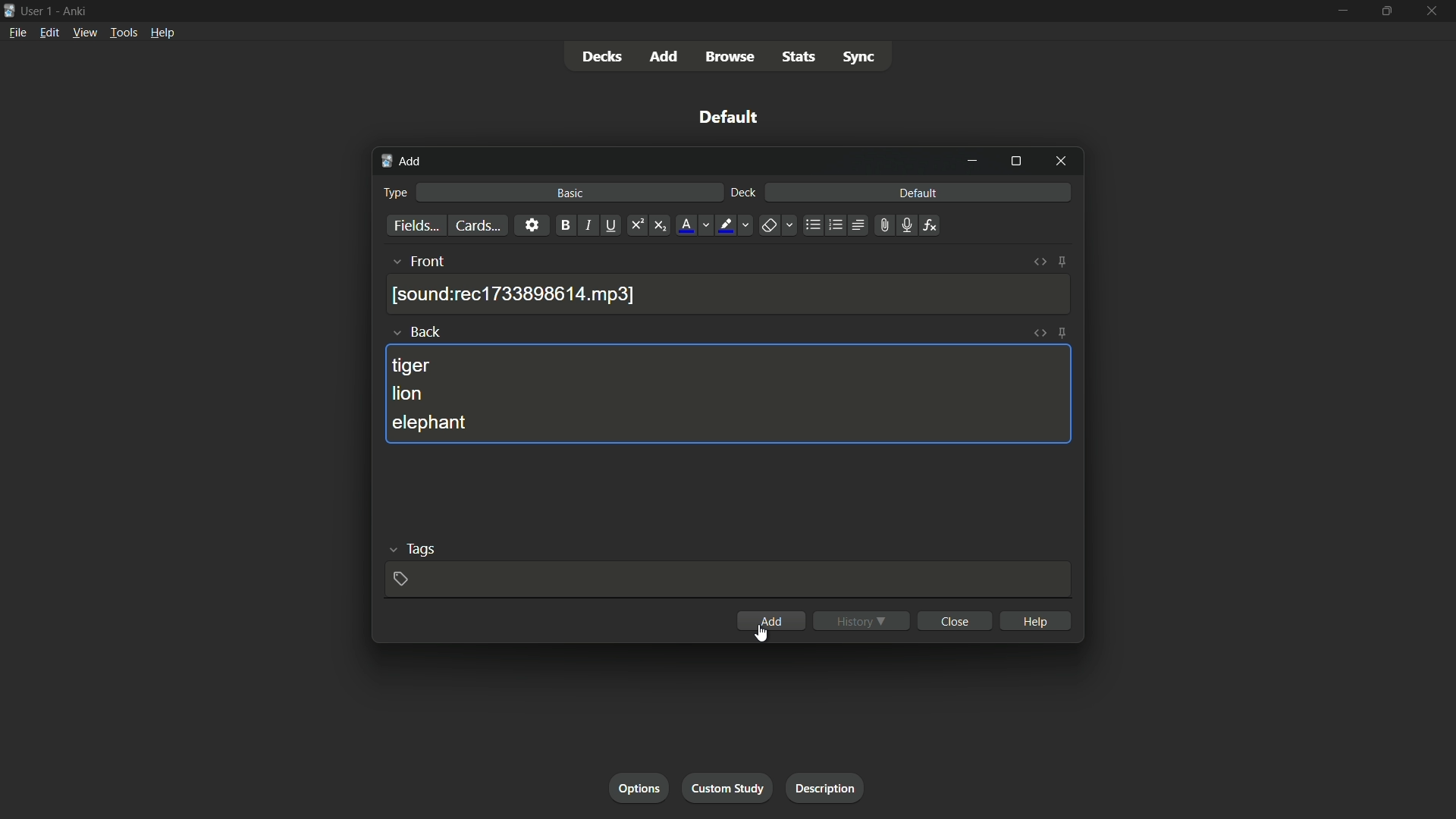 The image size is (1456, 819). Describe the element at coordinates (1062, 333) in the screenshot. I see `toggle sticky` at that location.